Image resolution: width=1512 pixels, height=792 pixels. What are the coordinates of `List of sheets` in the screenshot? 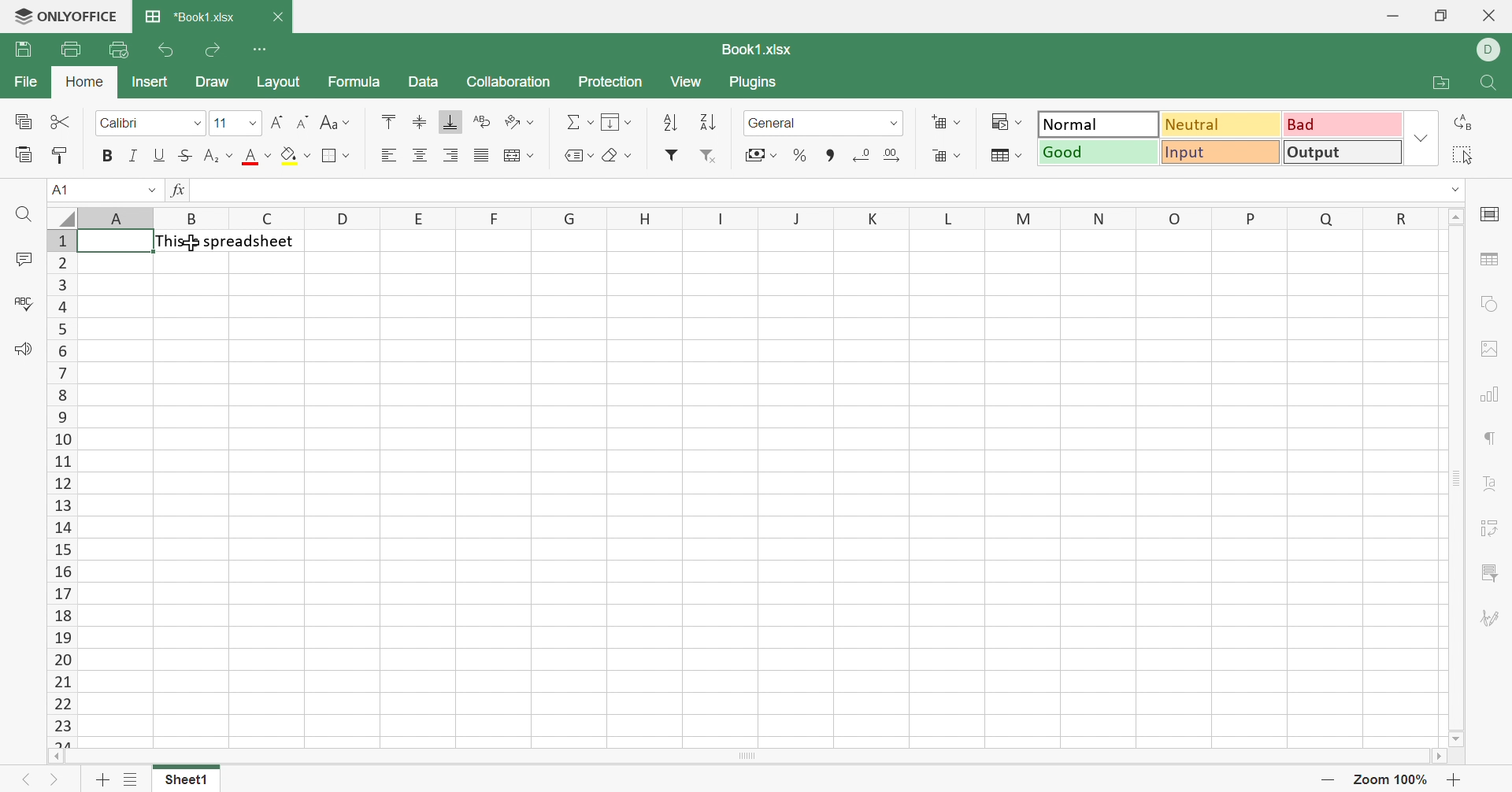 It's located at (132, 779).